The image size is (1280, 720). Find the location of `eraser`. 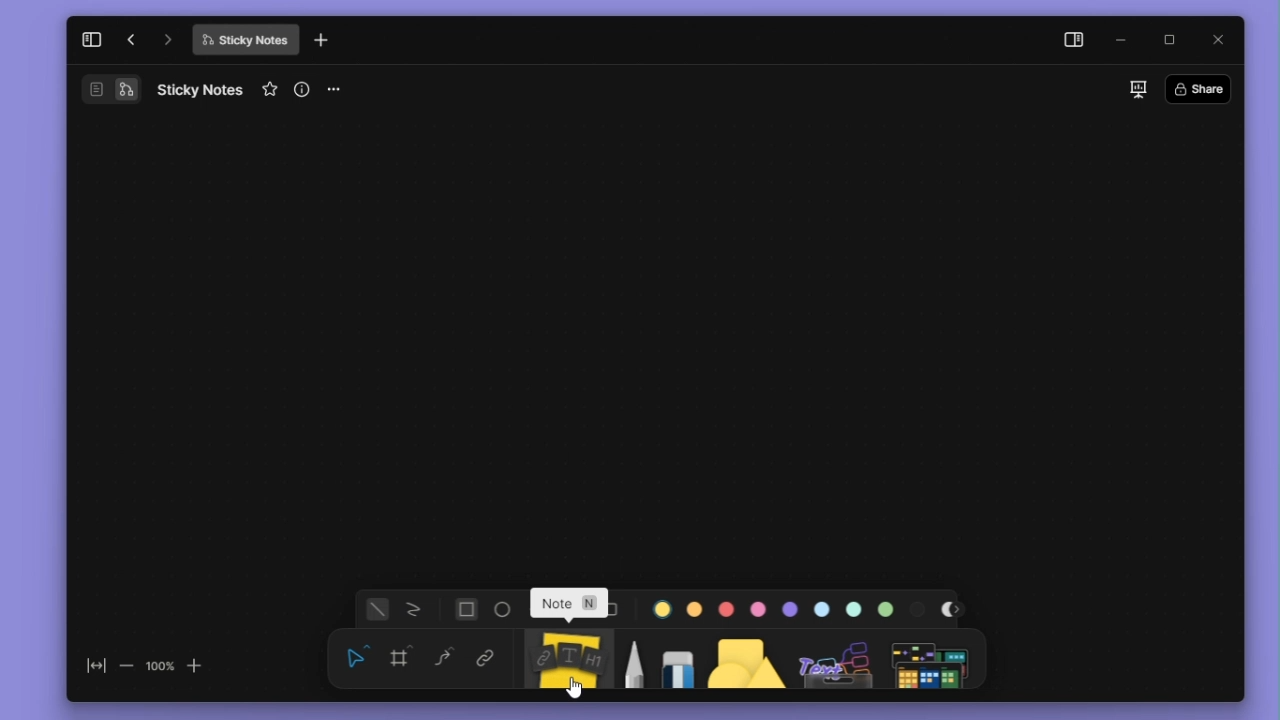

eraser is located at coordinates (679, 659).